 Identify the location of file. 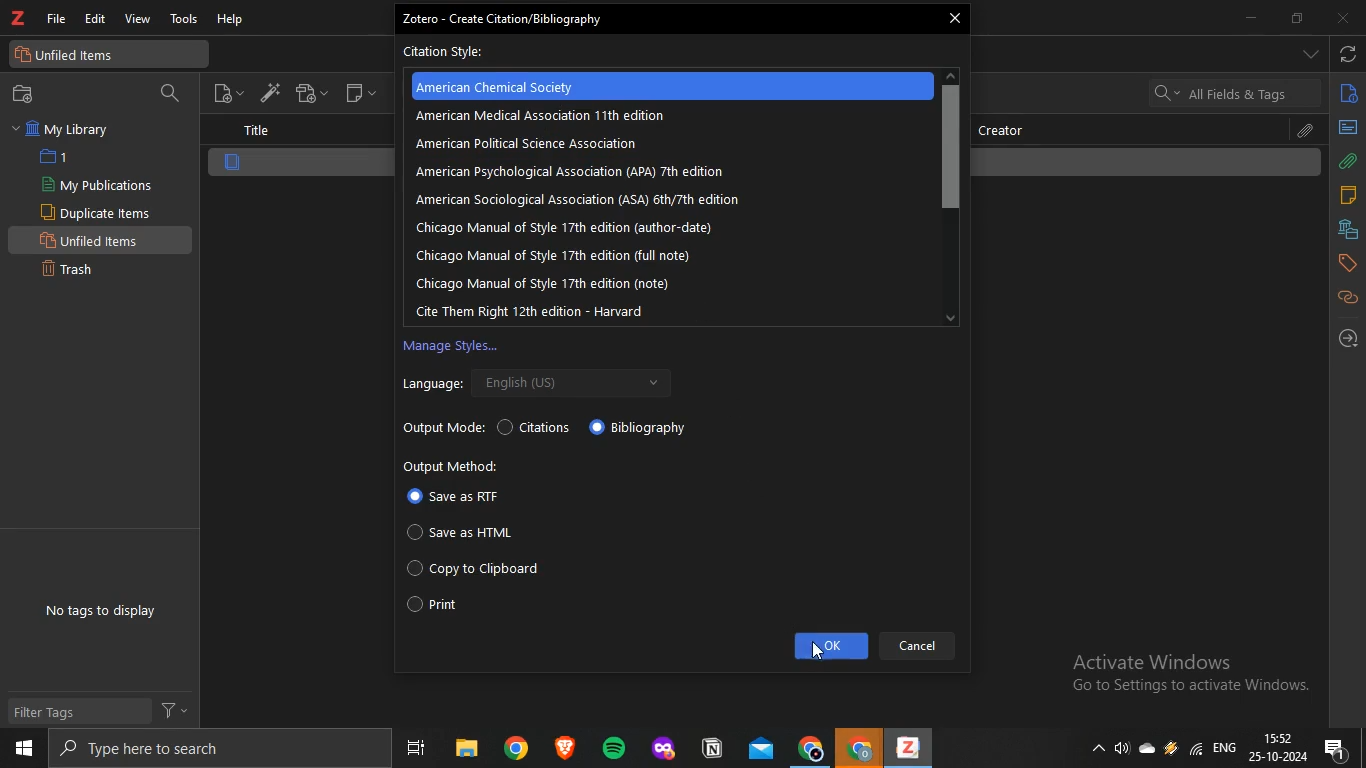
(59, 18).